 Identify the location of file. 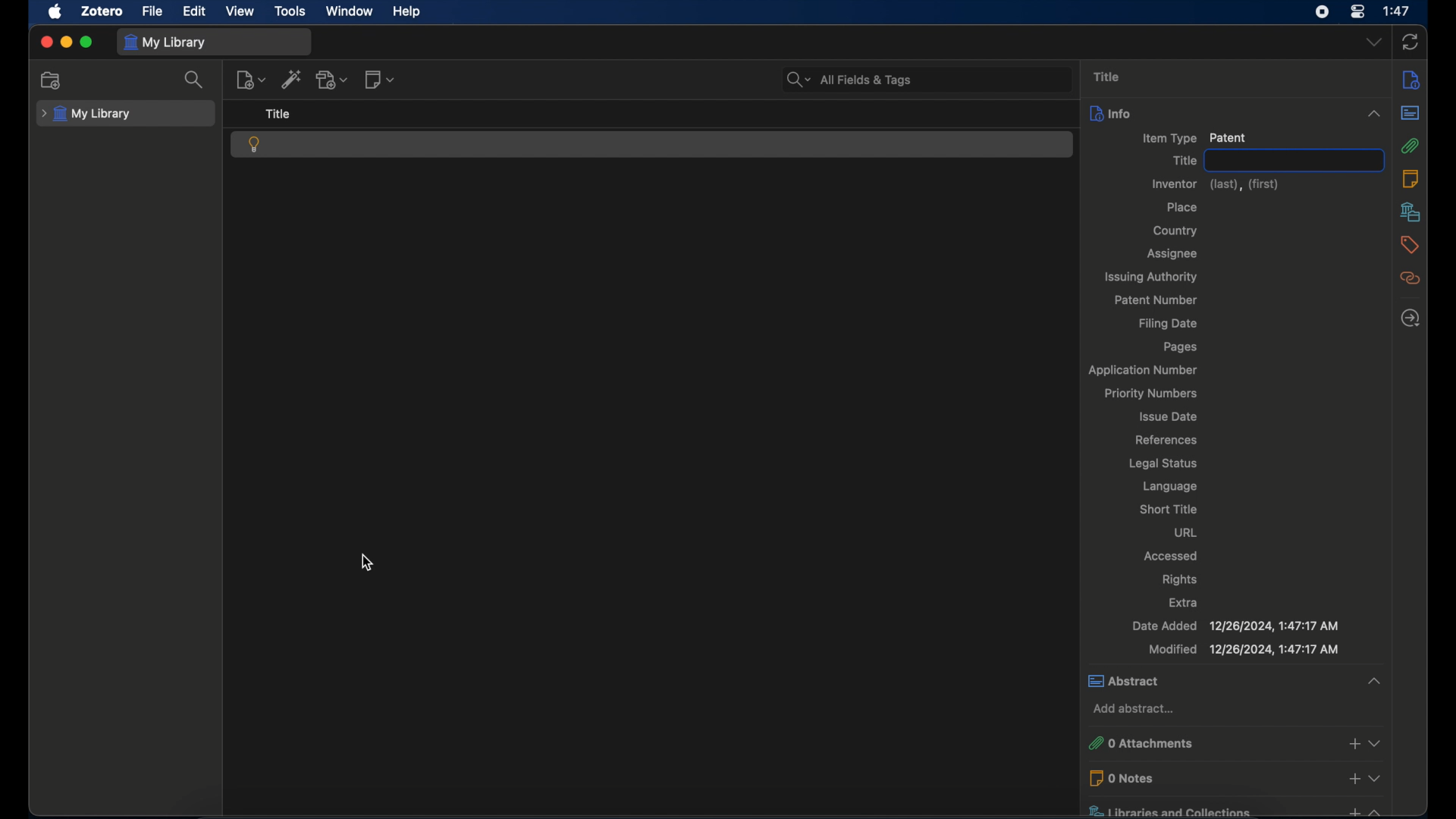
(154, 11).